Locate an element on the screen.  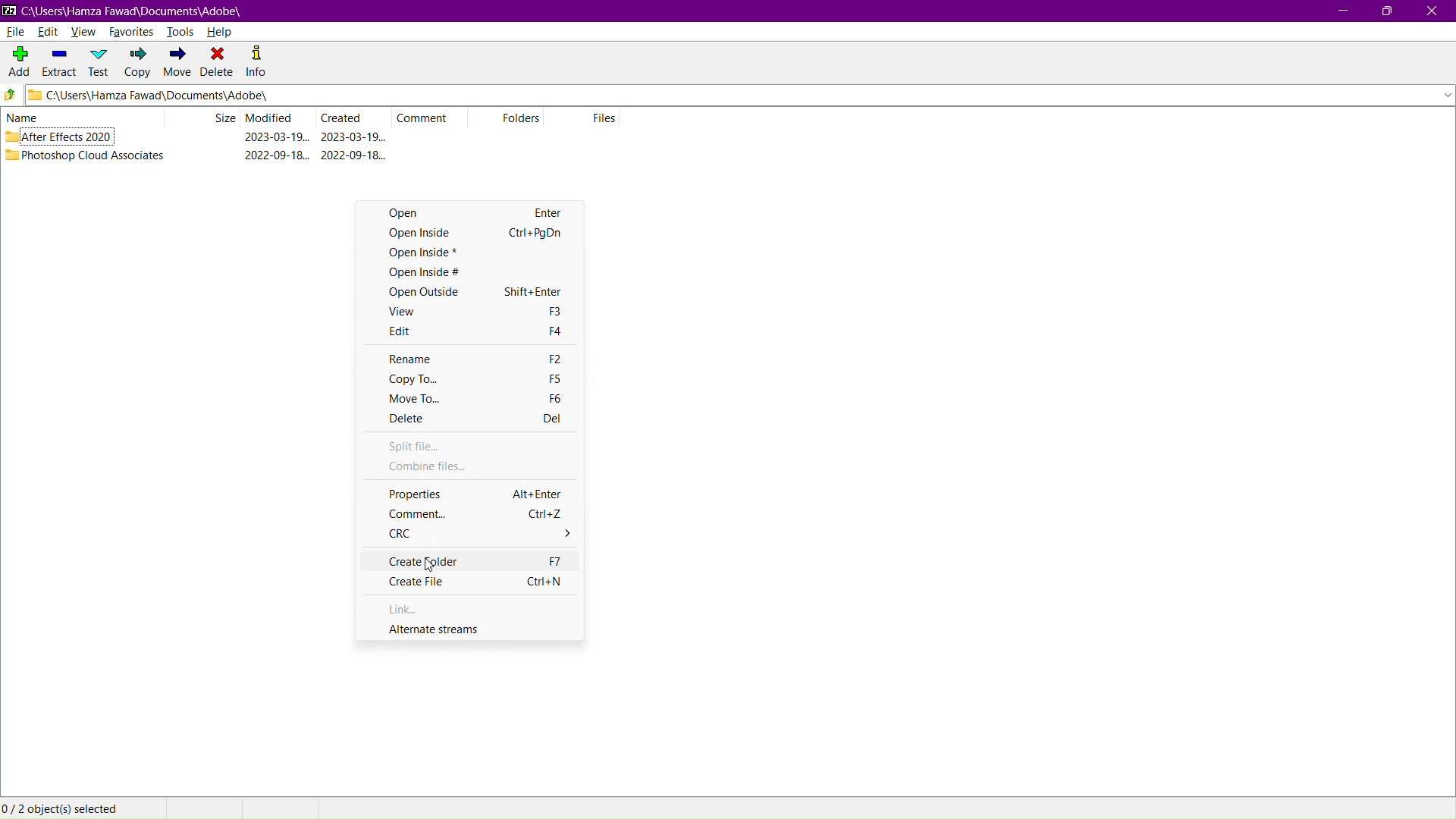
Rename is located at coordinates (470, 359).